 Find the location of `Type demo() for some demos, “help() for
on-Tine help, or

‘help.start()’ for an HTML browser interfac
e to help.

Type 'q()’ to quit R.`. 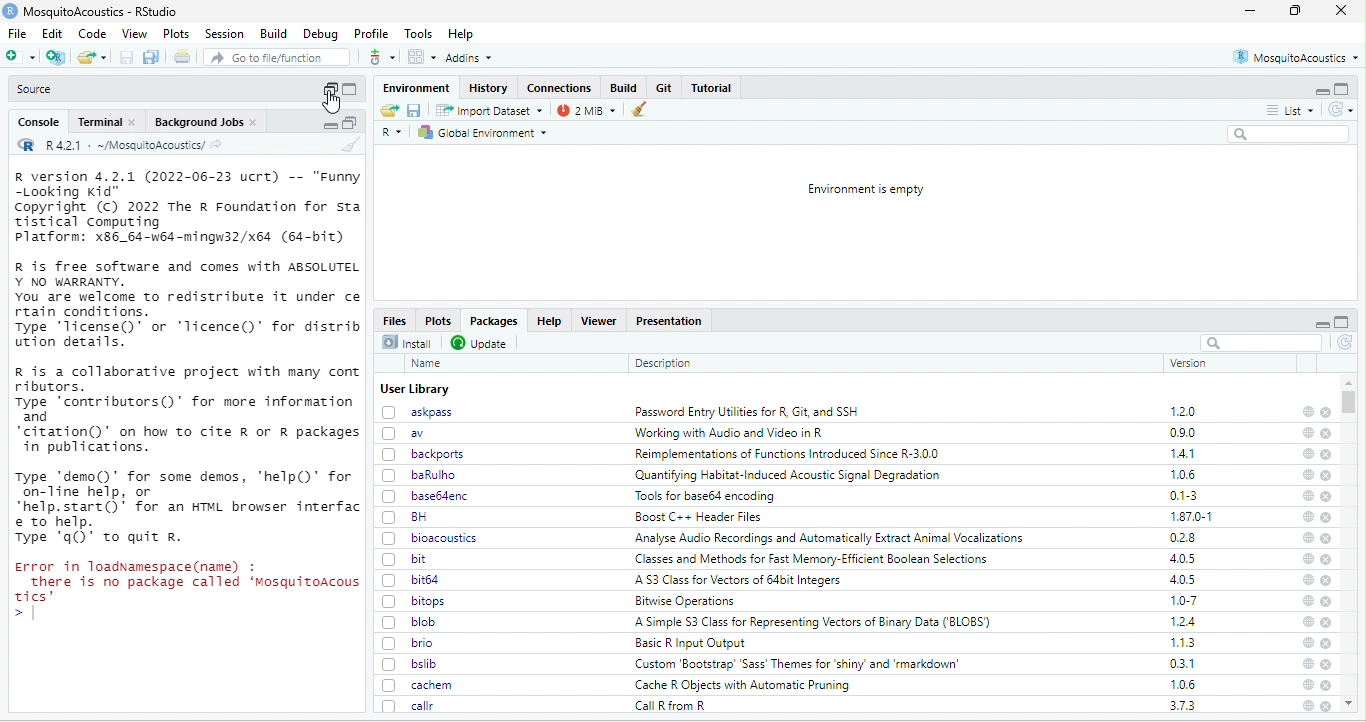

Type demo() for some demos, “help() for
on-Tine help, or

‘help.start()’ for an HTML browser interfac
e to help.

Type 'q()’ to quit R. is located at coordinates (190, 508).